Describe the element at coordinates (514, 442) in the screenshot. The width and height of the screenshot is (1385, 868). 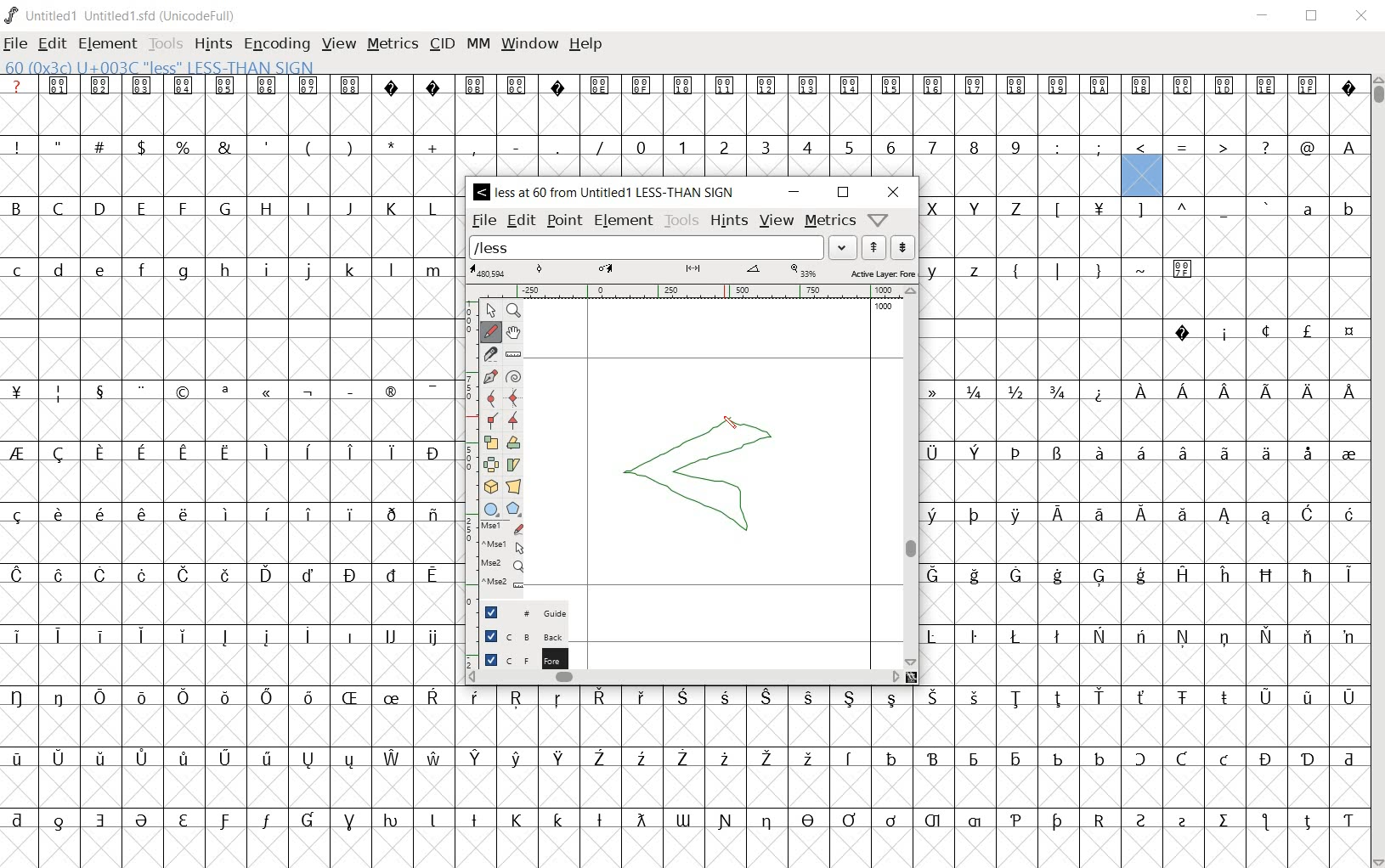
I see `Rotate the selection` at that location.